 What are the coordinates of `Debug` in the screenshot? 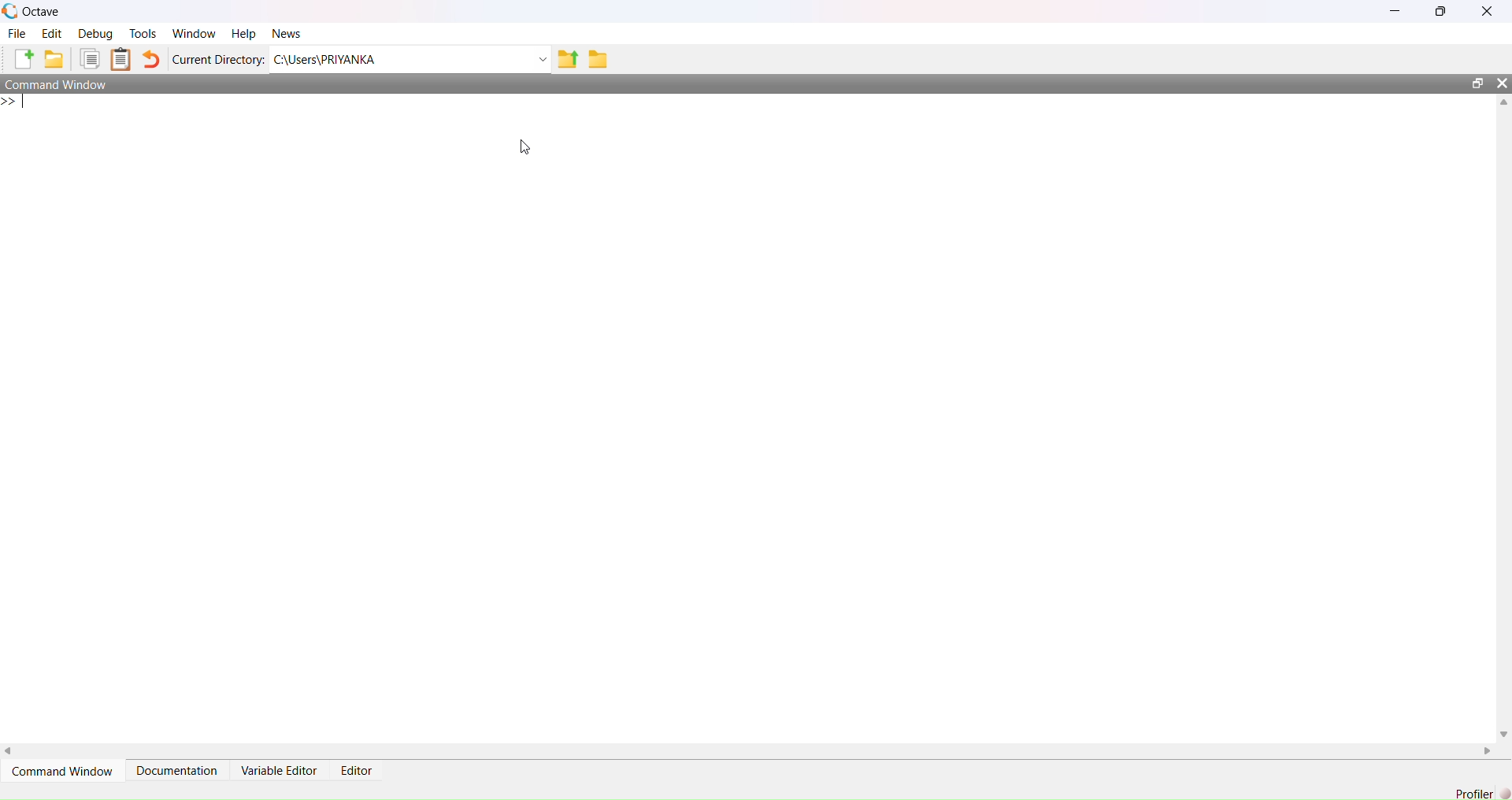 It's located at (98, 35).